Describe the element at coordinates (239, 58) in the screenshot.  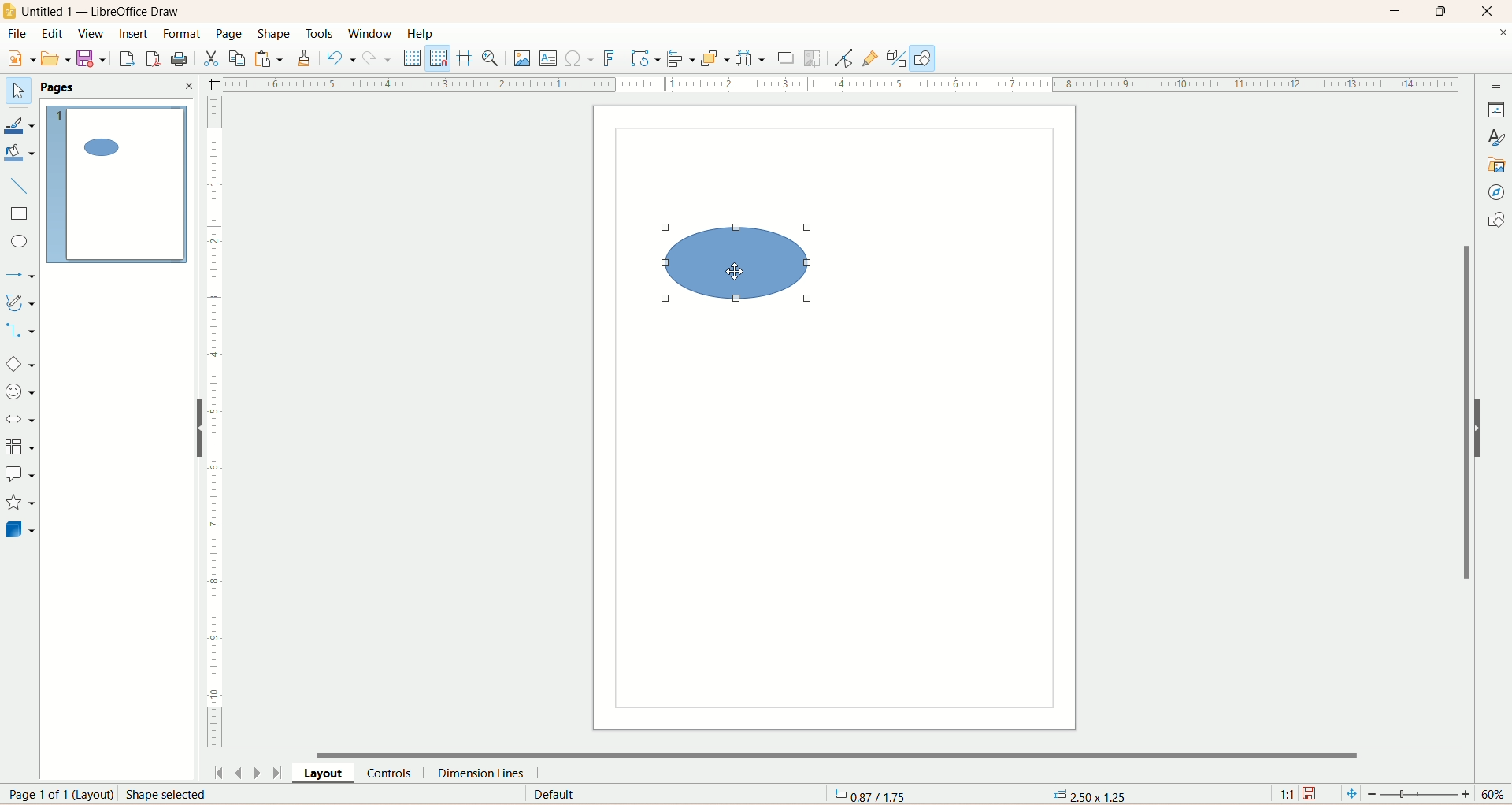
I see `copy` at that location.